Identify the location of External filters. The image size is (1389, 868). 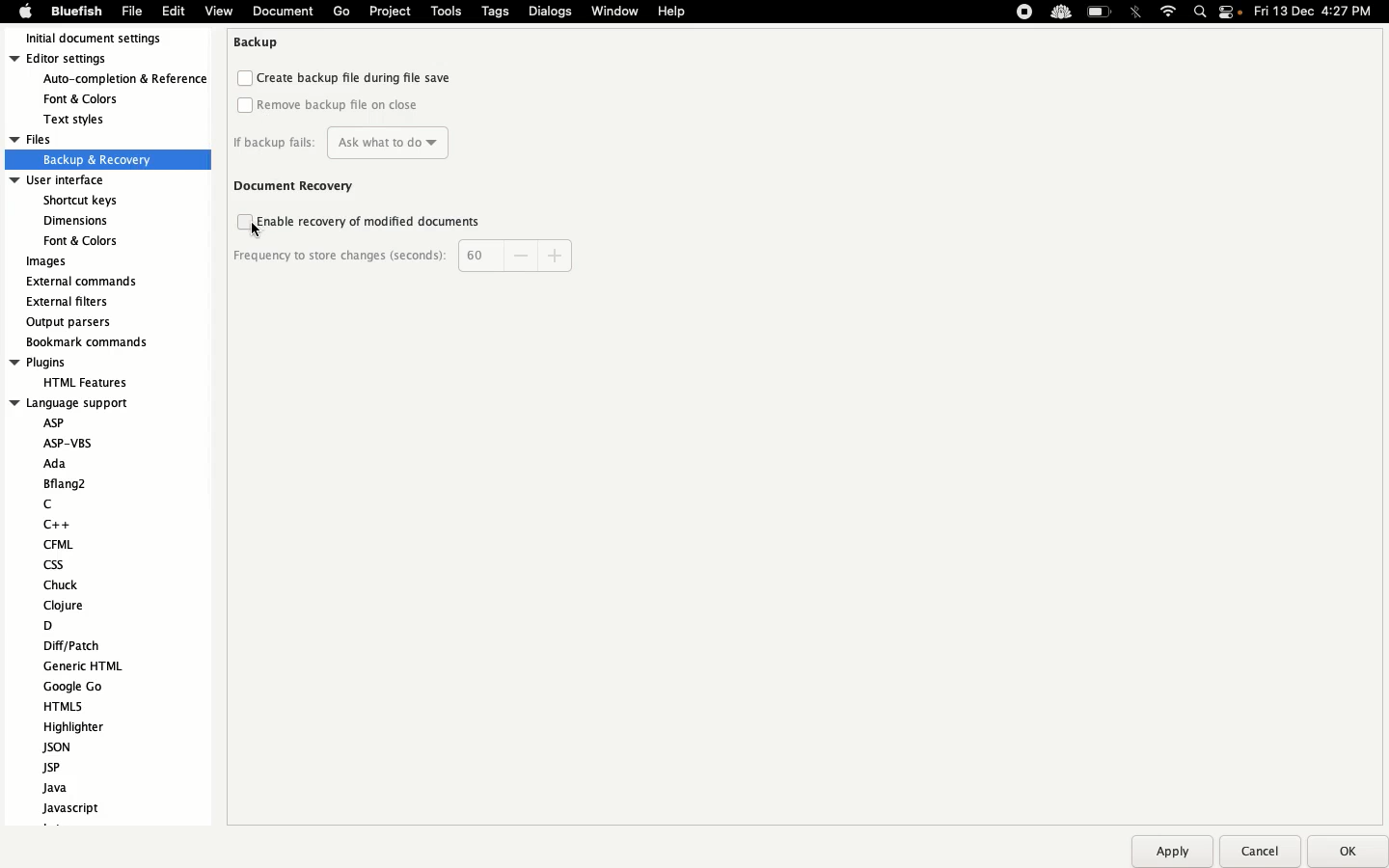
(74, 305).